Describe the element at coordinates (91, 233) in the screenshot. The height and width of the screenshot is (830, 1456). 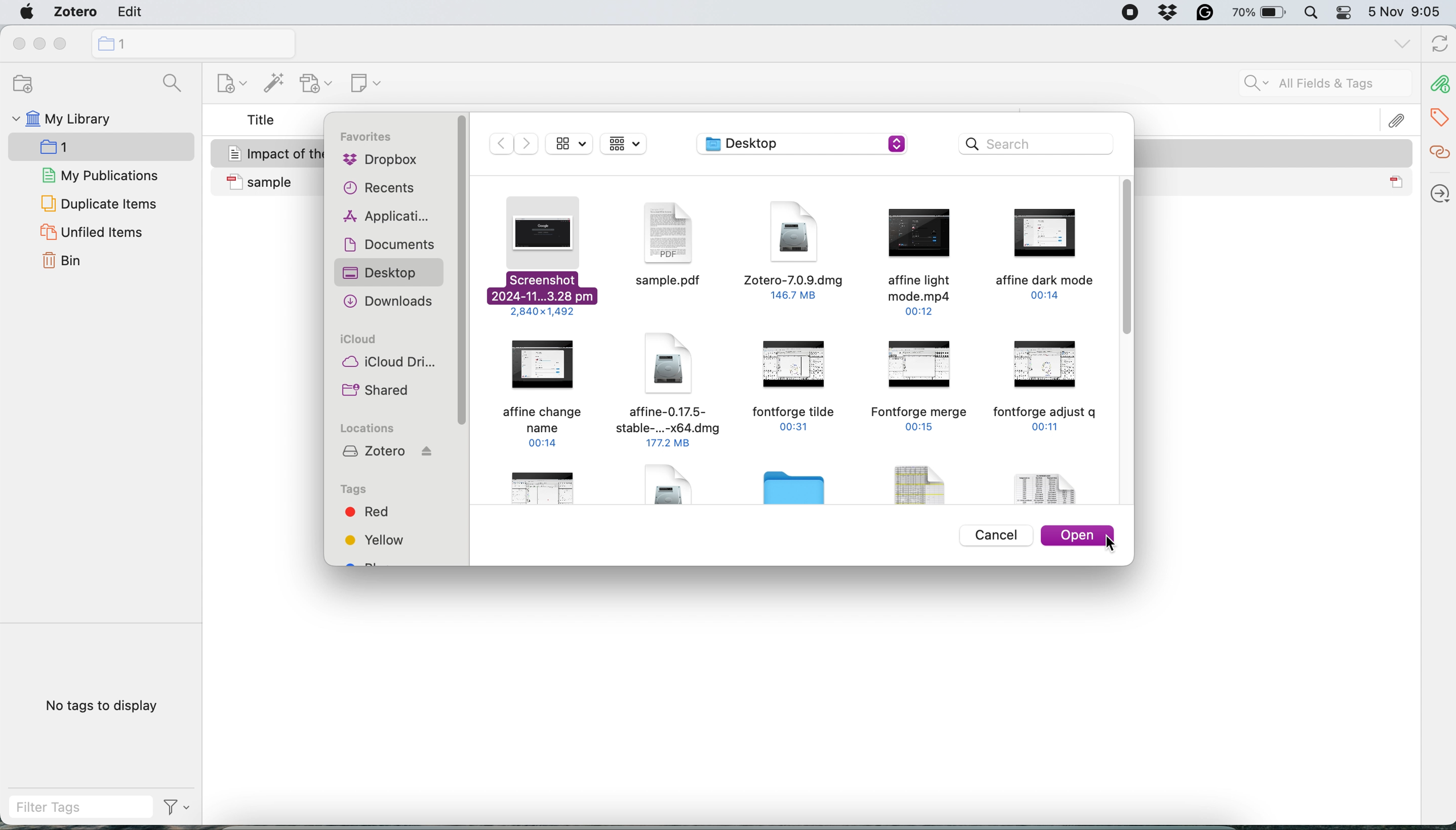
I see `unfiled items` at that location.